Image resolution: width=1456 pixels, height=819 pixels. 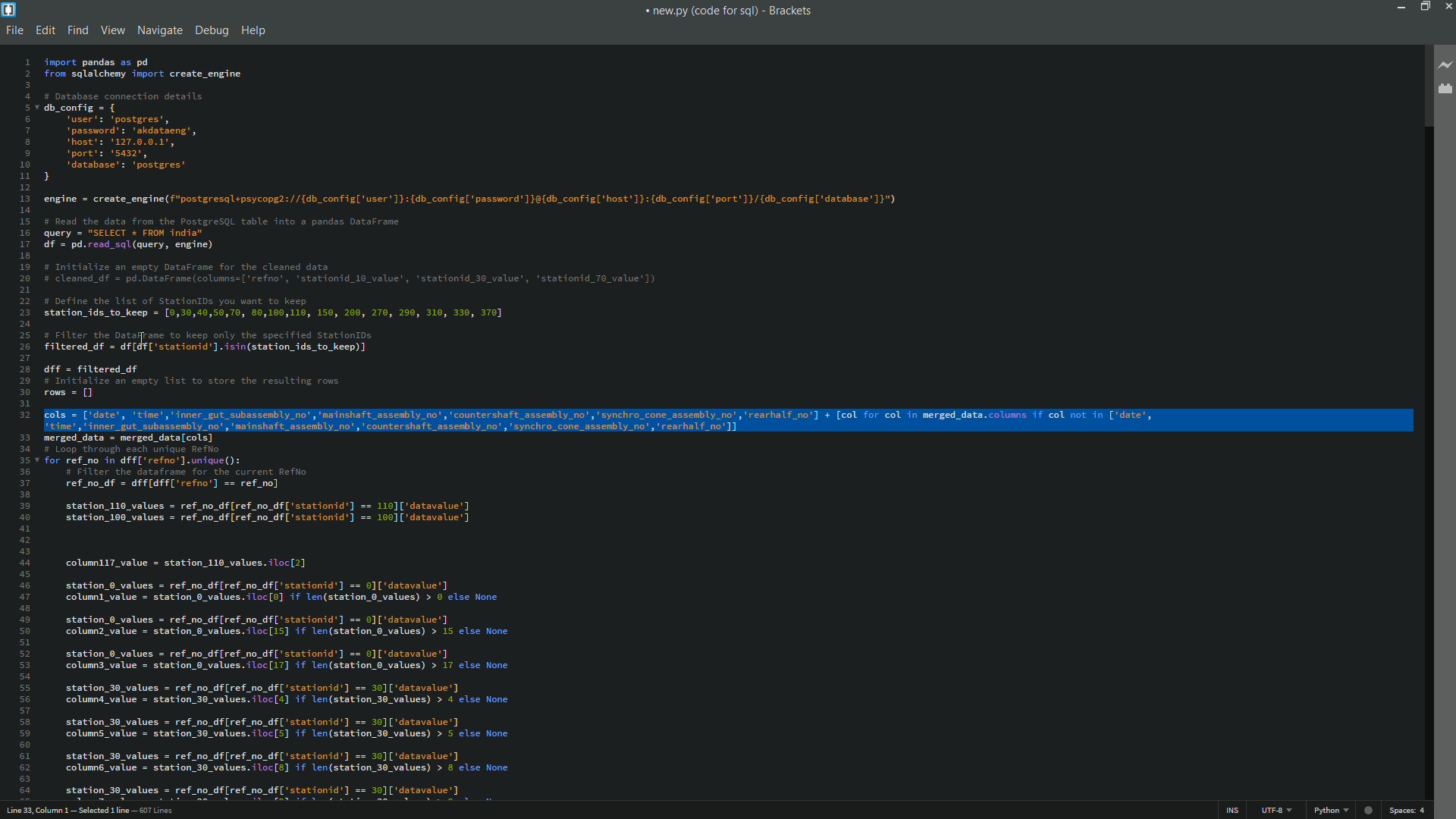 What do you see at coordinates (78, 30) in the screenshot?
I see `find menu` at bounding box center [78, 30].